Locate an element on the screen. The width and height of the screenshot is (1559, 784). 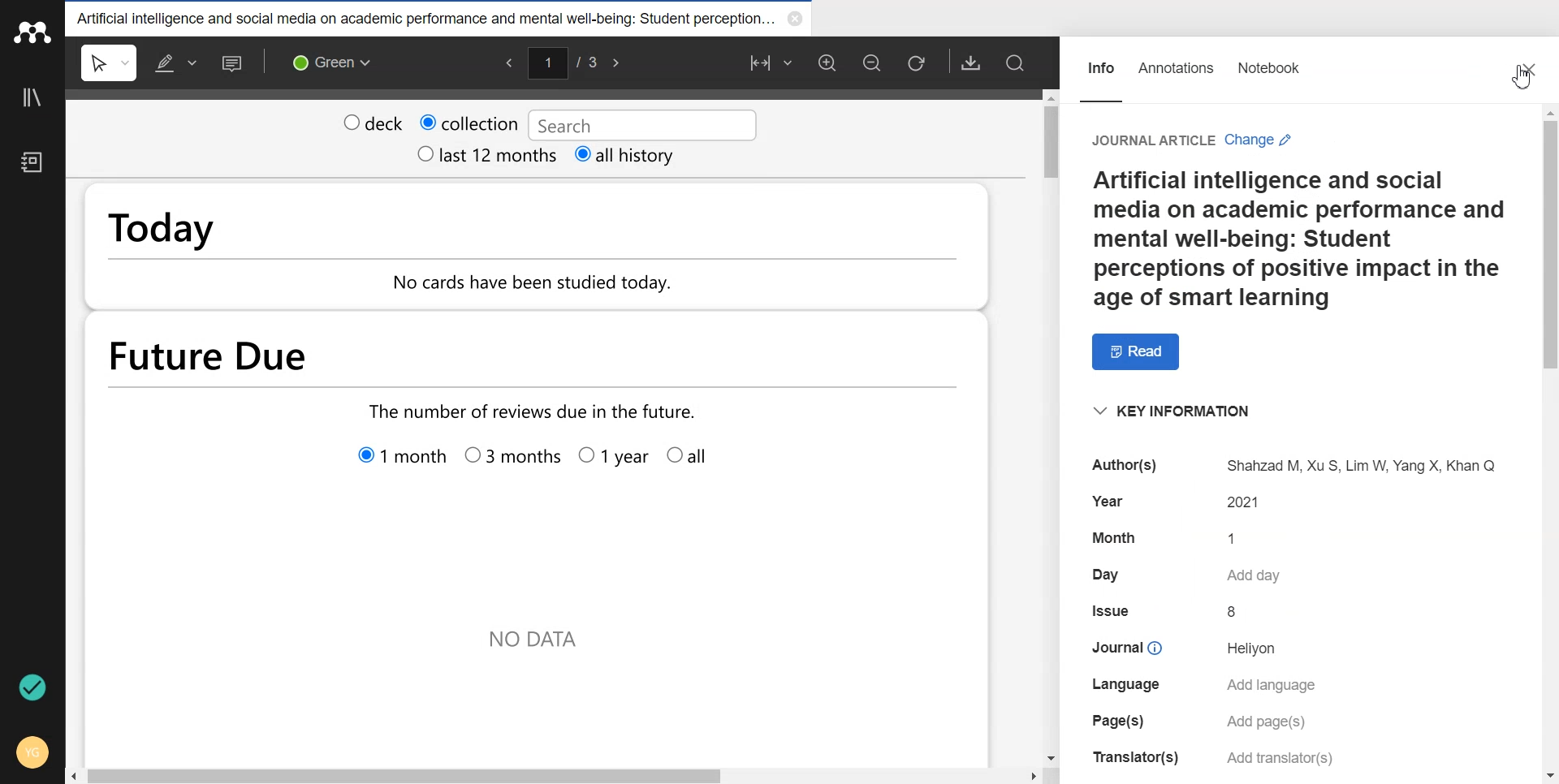
collection is located at coordinates (469, 120).